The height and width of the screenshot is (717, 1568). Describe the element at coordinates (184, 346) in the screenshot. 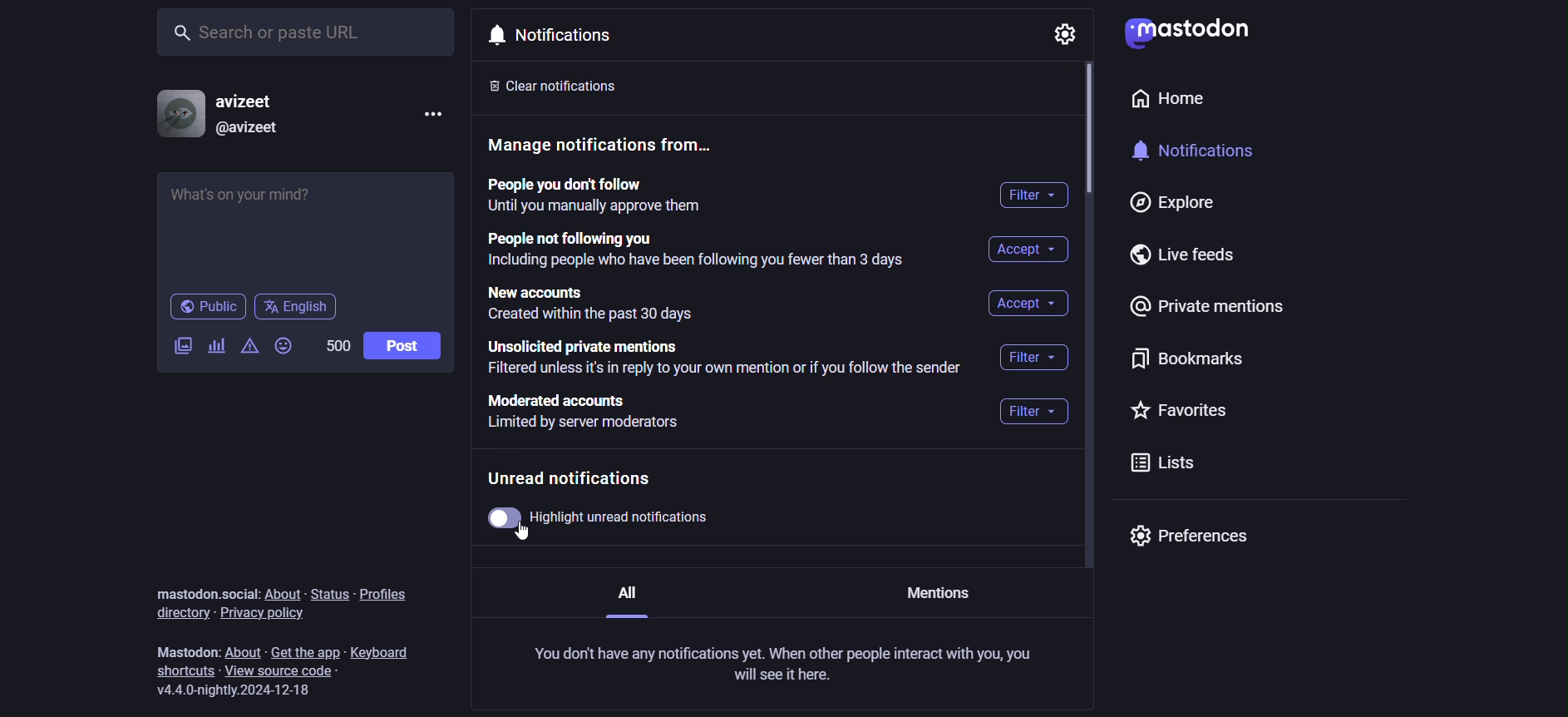

I see `add image` at that location.